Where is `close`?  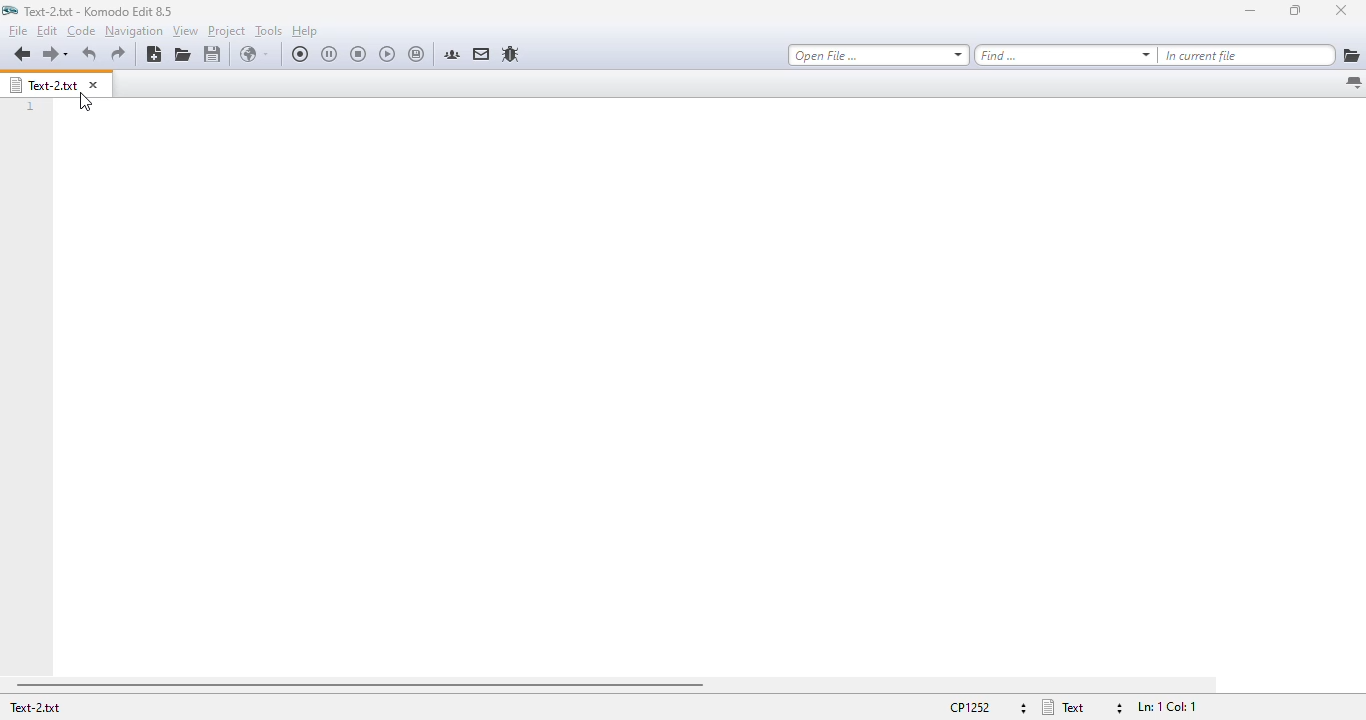 close is located at coordinates (1341, 9).